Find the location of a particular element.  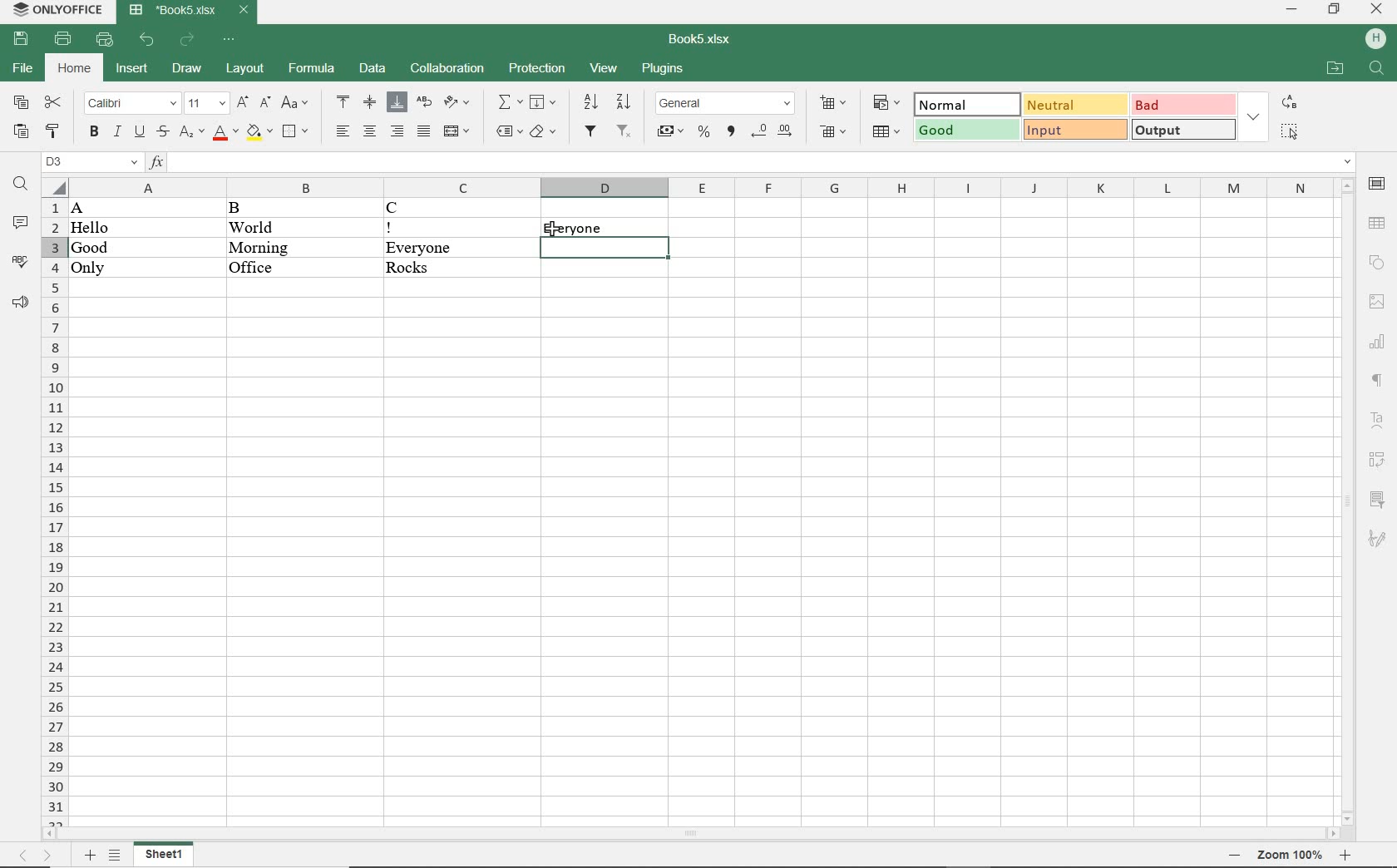

replace is located at coordinates (1291, 103).